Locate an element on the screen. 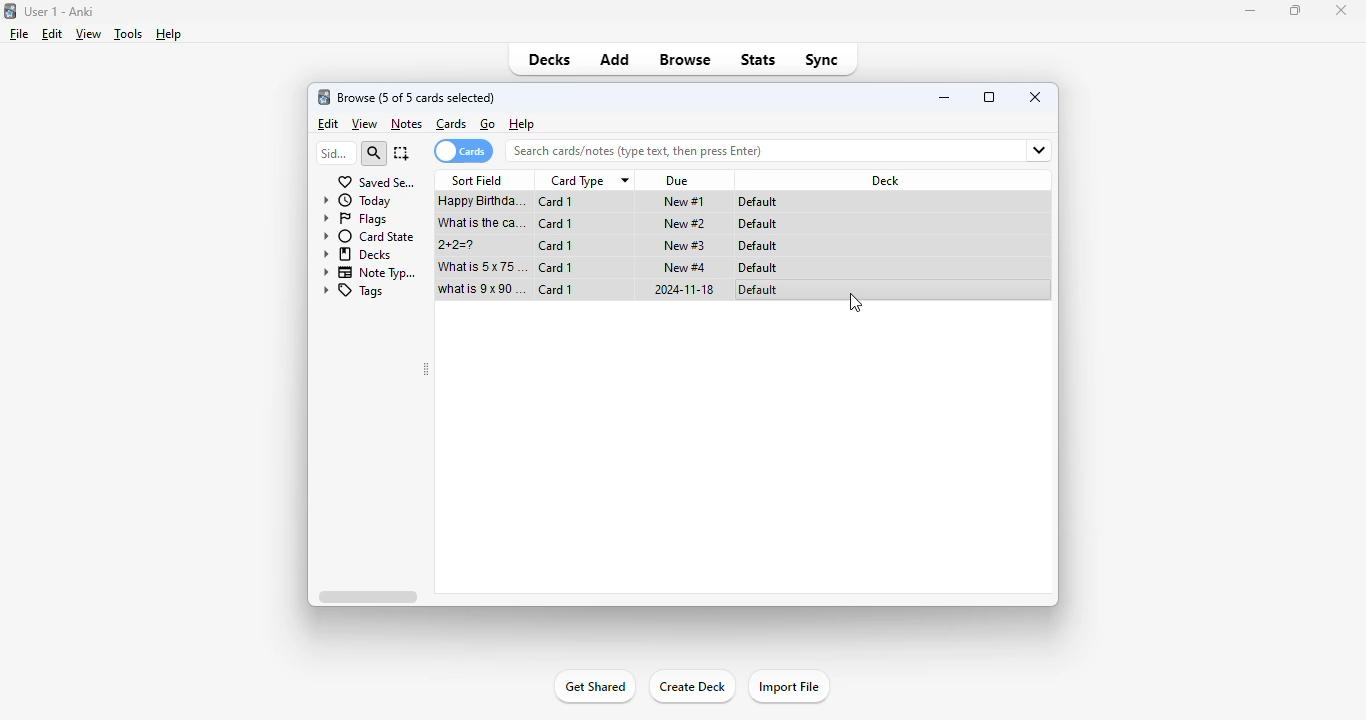 This screenshot has height=720, width=1366. help is located at coordinates (168, 34).